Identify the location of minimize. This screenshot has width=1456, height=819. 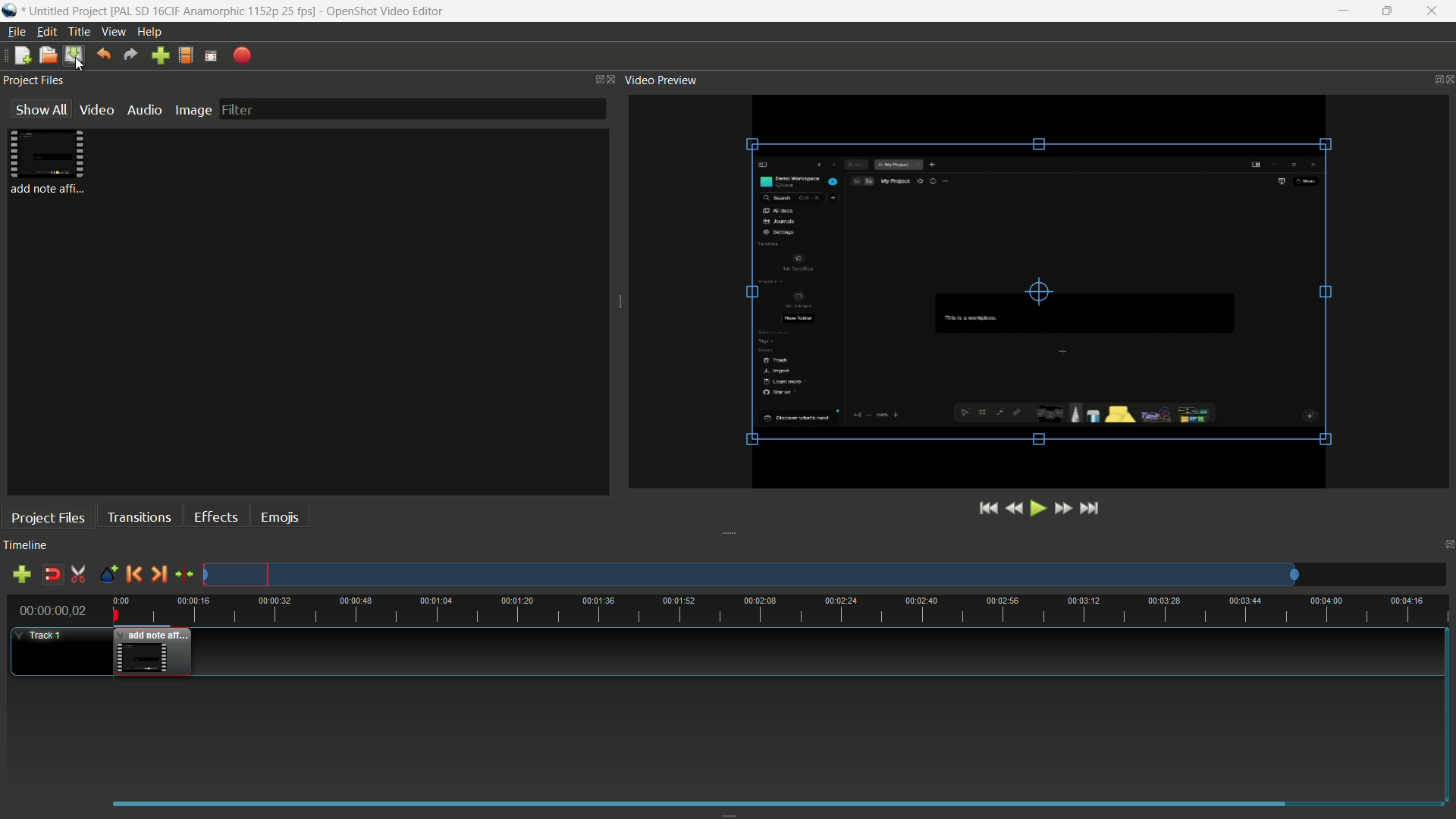
(1344, 11).